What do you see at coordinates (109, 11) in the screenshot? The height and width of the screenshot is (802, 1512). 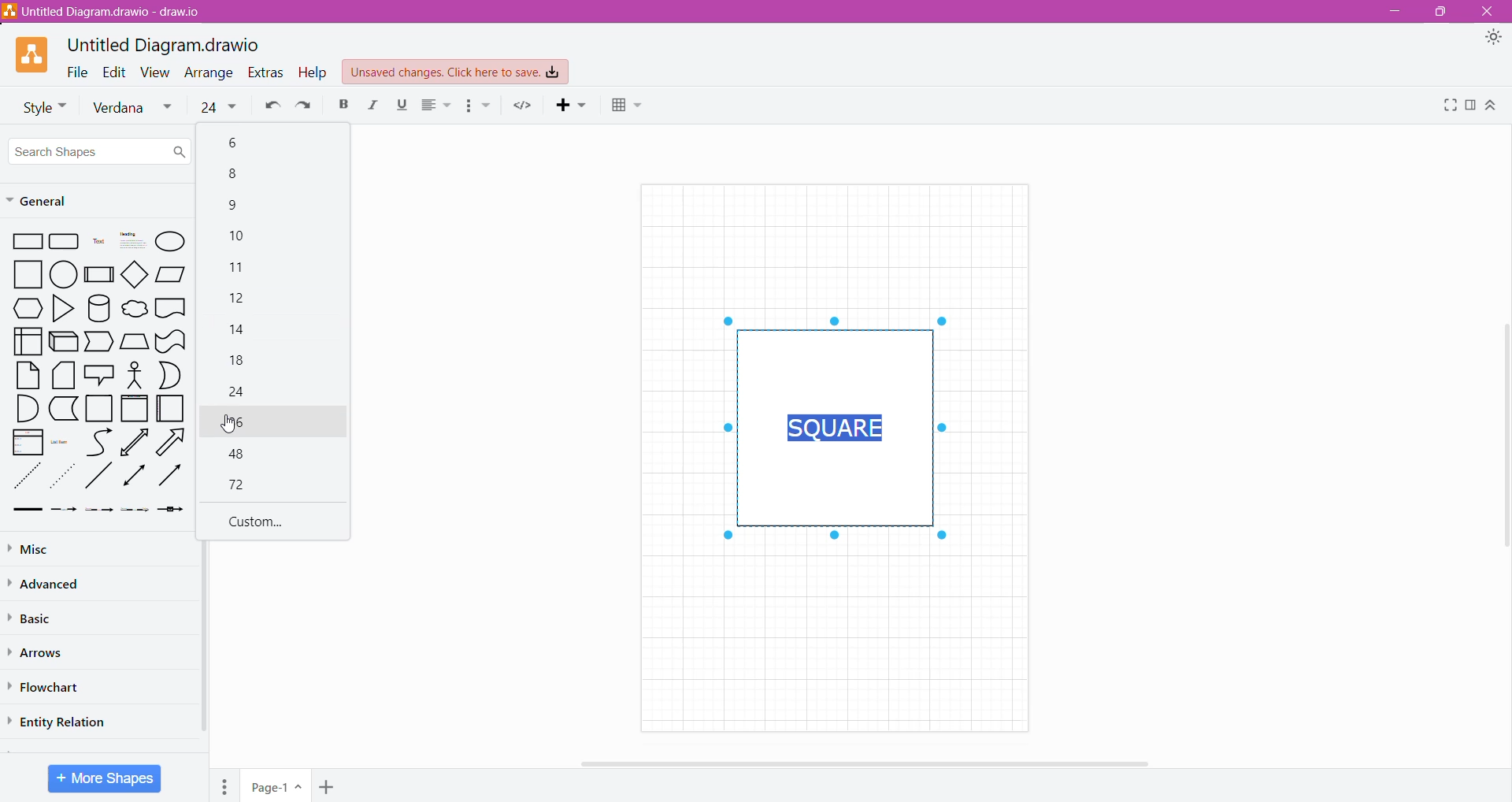 I see `Diagram Title.draw.io - Application Name` at bounding box center [109, 11].